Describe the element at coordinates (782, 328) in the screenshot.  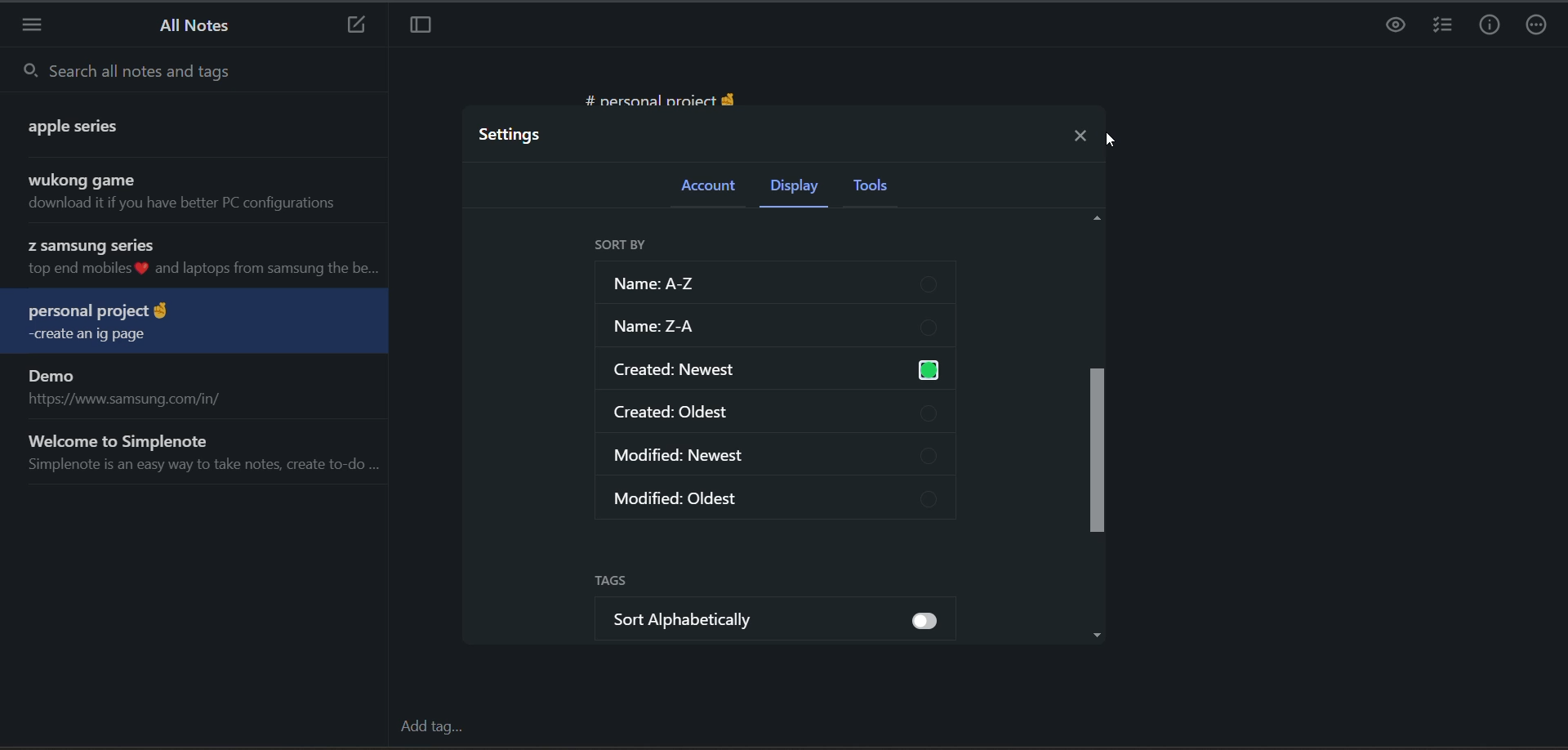
I see `sort z-a` at that location.